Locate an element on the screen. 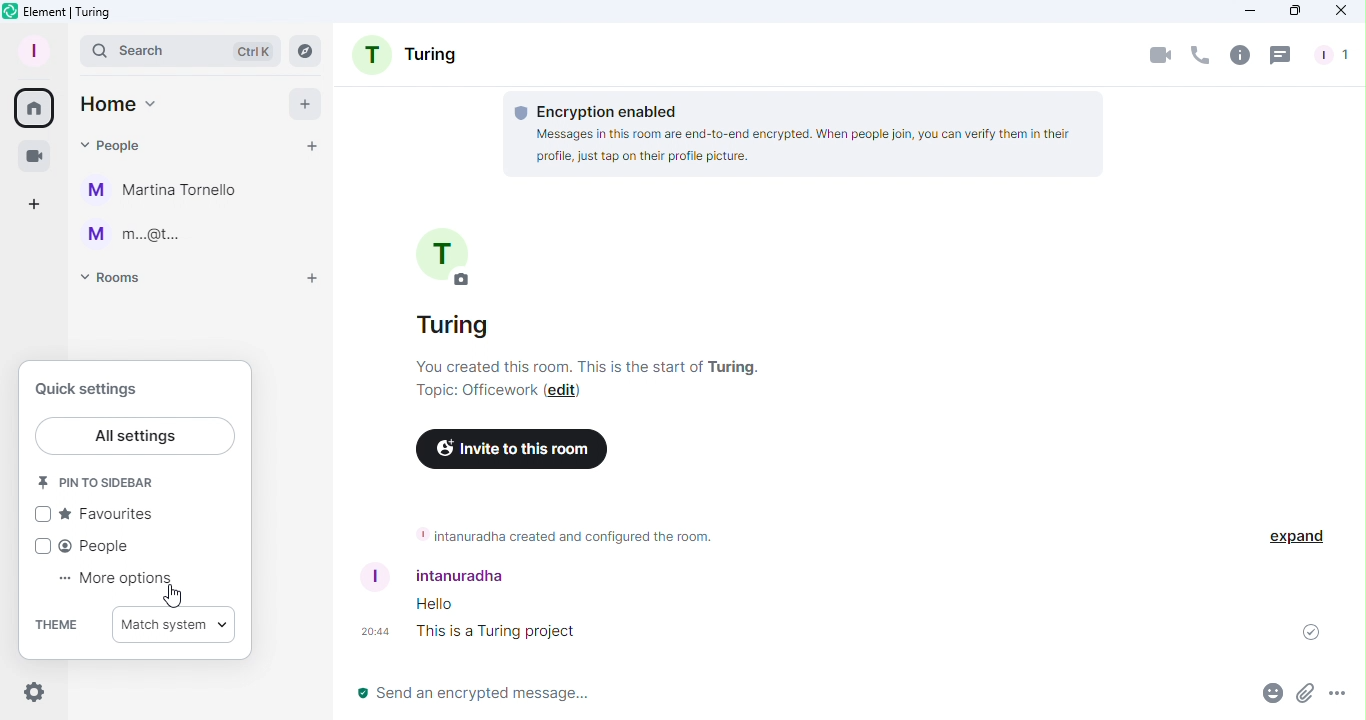 This screenshot has height=720, width=1366. Attachment is located at coordinates (1306, 697).